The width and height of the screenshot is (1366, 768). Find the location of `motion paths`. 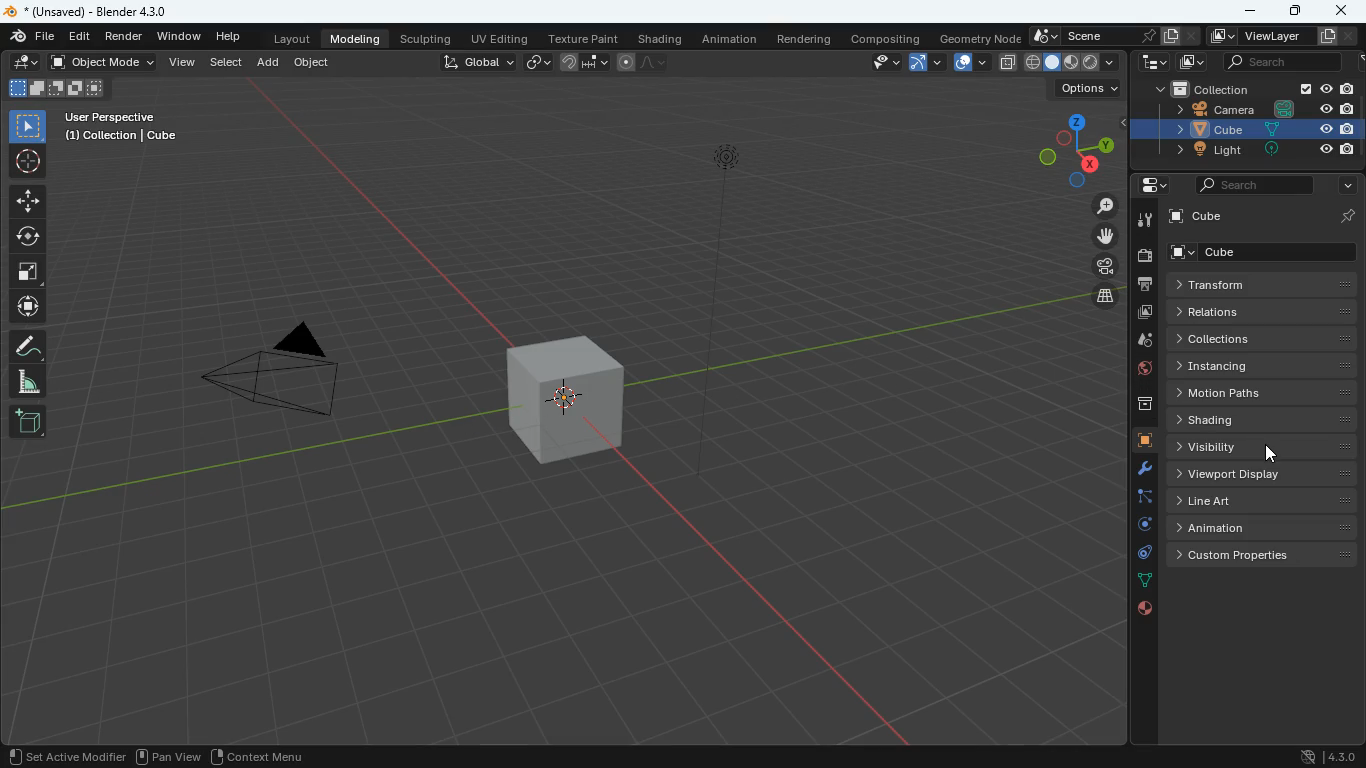

motion paths is located at coordinates (1262, 391).